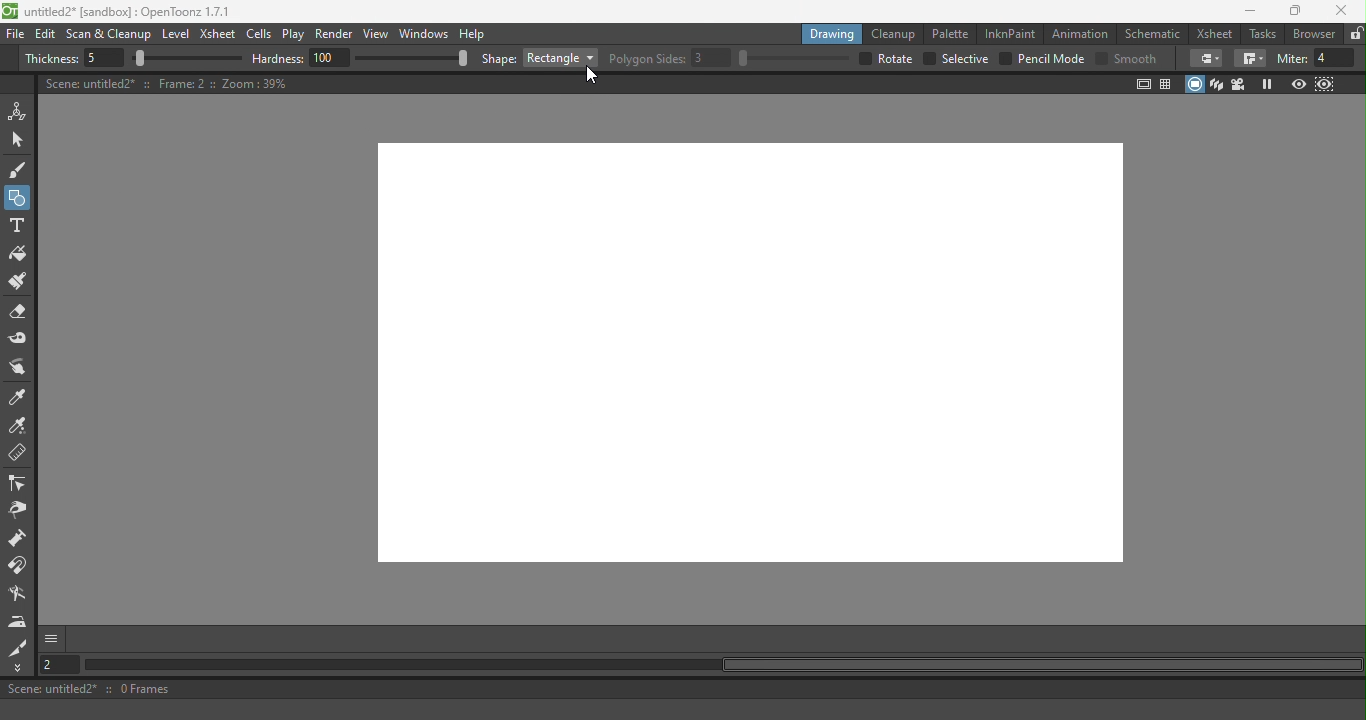 This screenshot has width=1366, height=720. What do you see at coordinates (1142, 85) in the screenshot?
I see `Safe area` at bounding box center [1142, 85].